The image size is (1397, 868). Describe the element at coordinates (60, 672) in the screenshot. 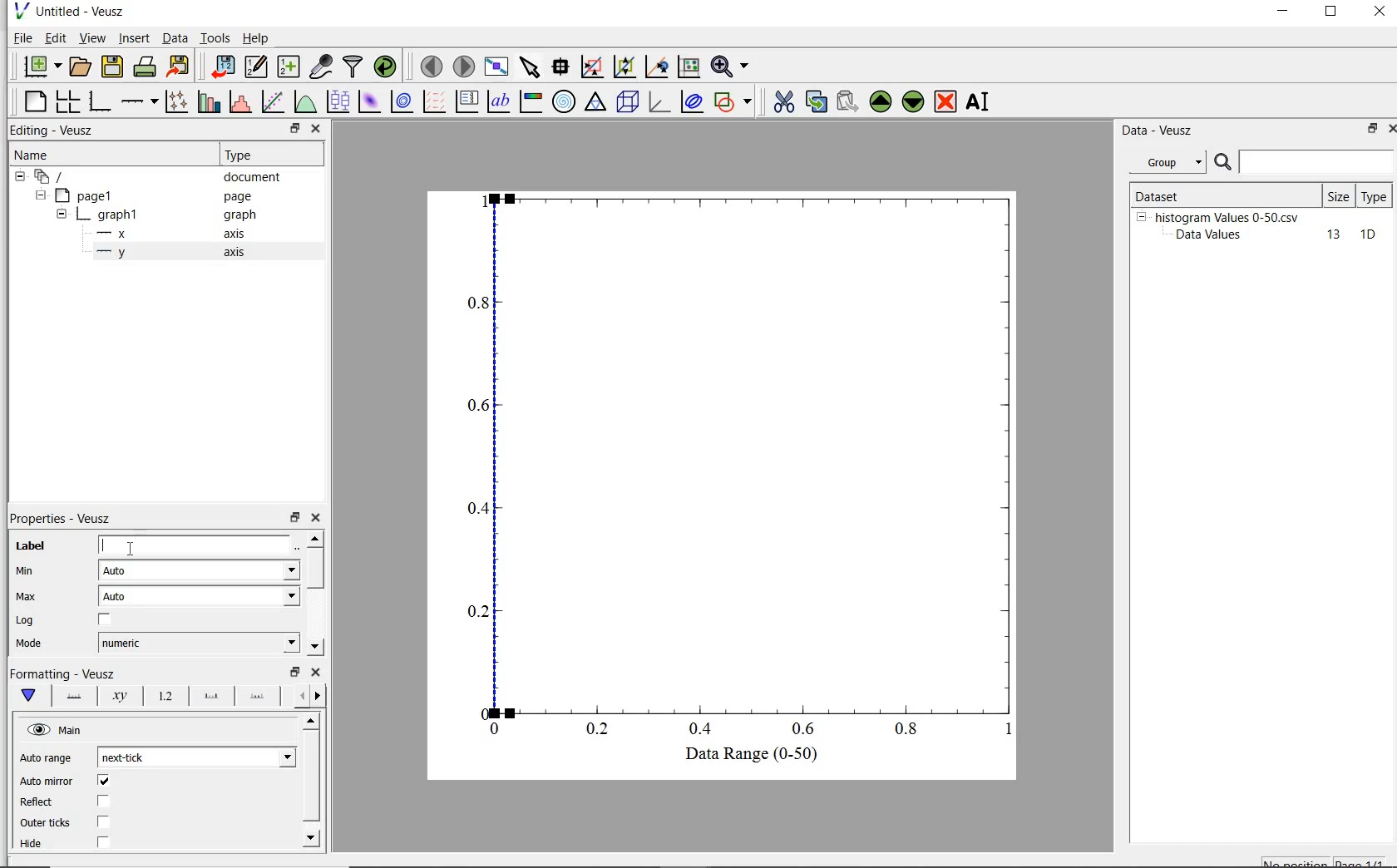

I see `|Formatting - Veusz` at that location.